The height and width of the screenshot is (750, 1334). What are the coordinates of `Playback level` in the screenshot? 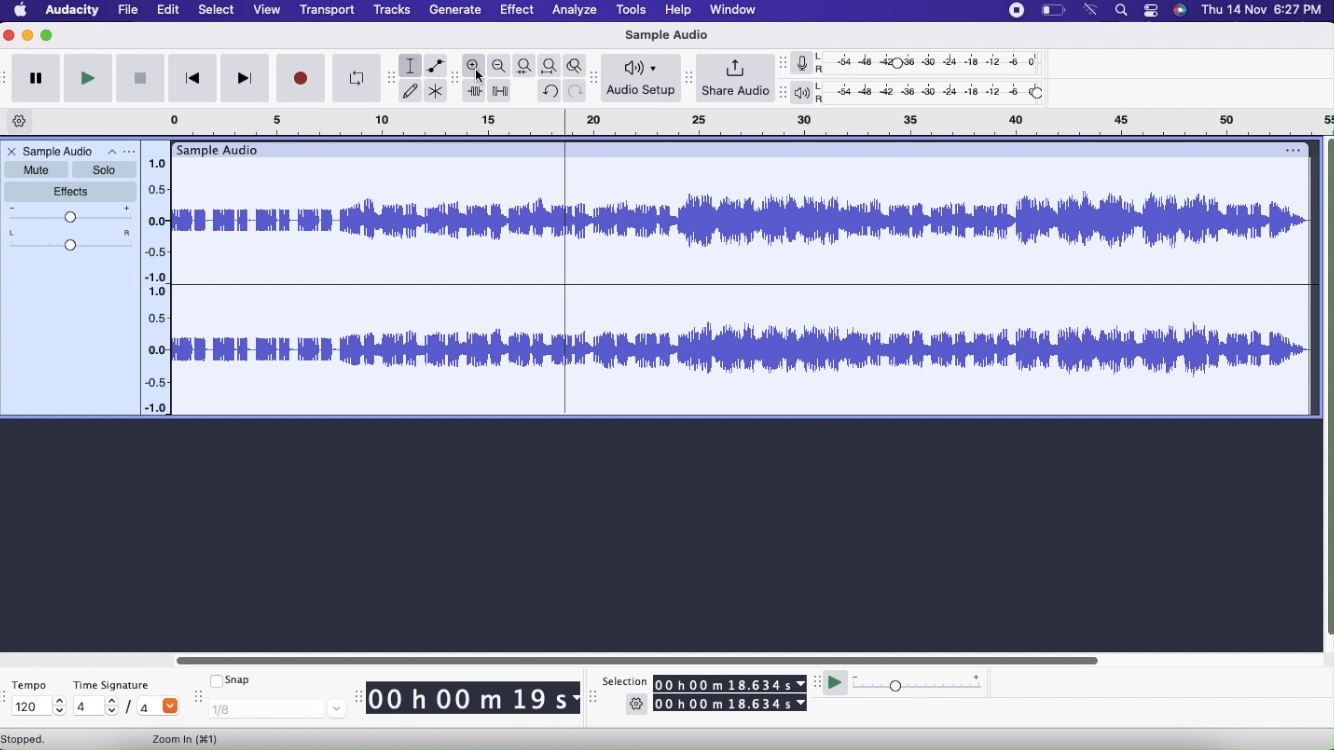 It's located at (938, 94).